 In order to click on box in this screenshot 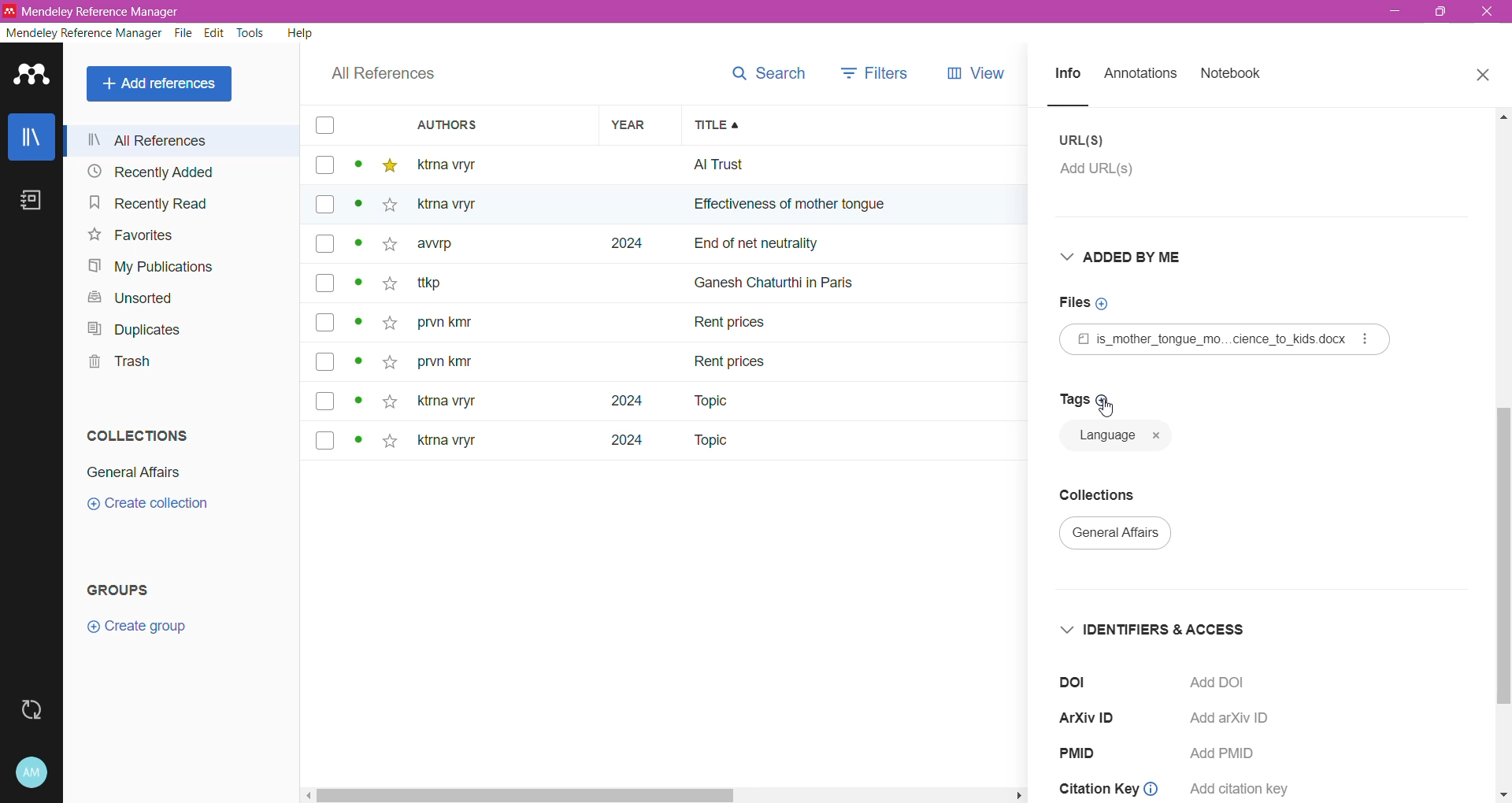, I will do `click(326, 363)`.